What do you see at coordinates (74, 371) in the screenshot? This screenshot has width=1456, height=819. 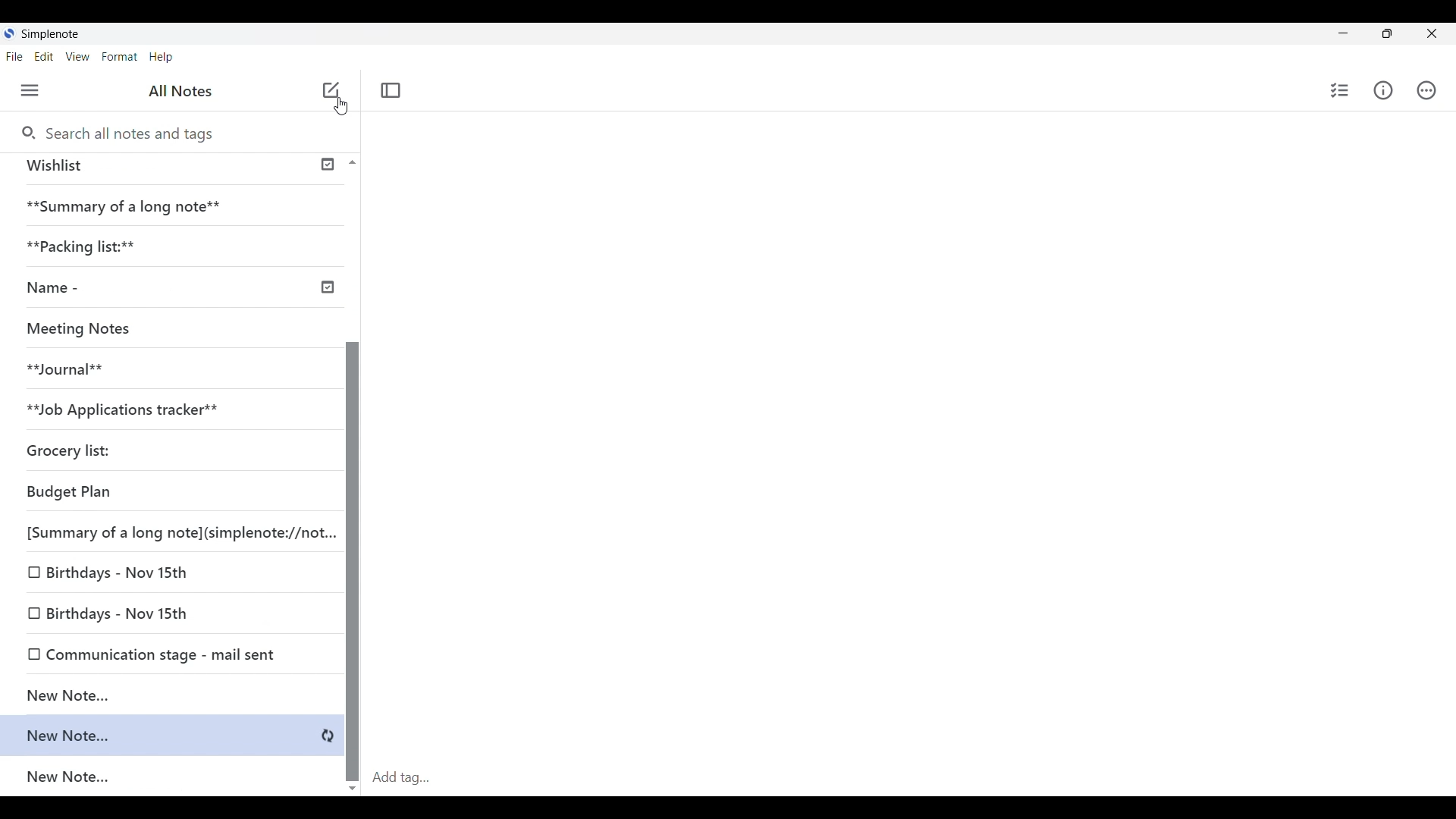 I see `**Journal**` at bounding box center [74, 371].